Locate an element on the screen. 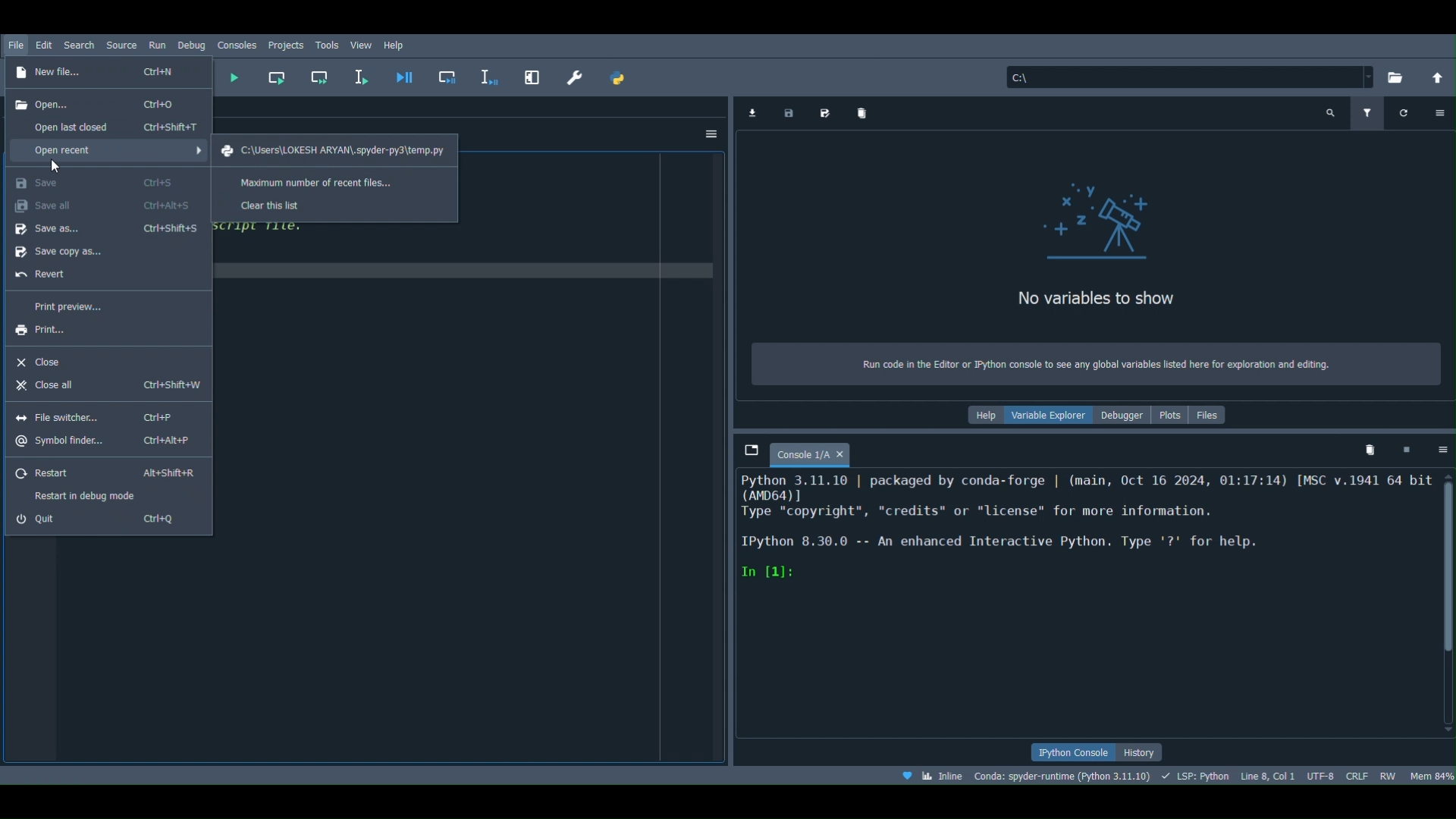 This screenshot has width=1456, height=819. View is located at coordinates (364, 44).